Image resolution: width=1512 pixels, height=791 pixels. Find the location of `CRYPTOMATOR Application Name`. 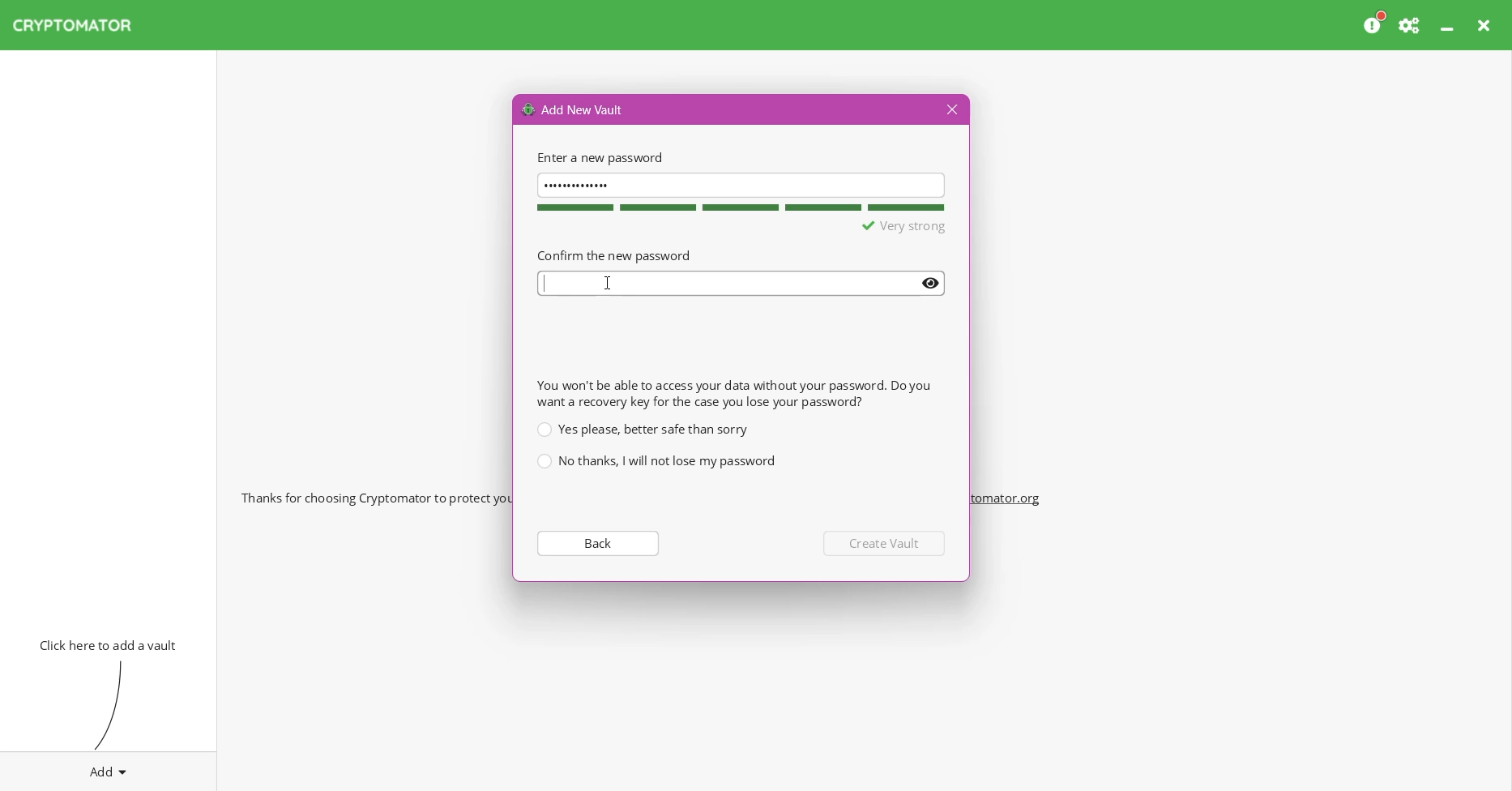

CRYPTOMATOR Application Name is located at coordinates (80, 25).